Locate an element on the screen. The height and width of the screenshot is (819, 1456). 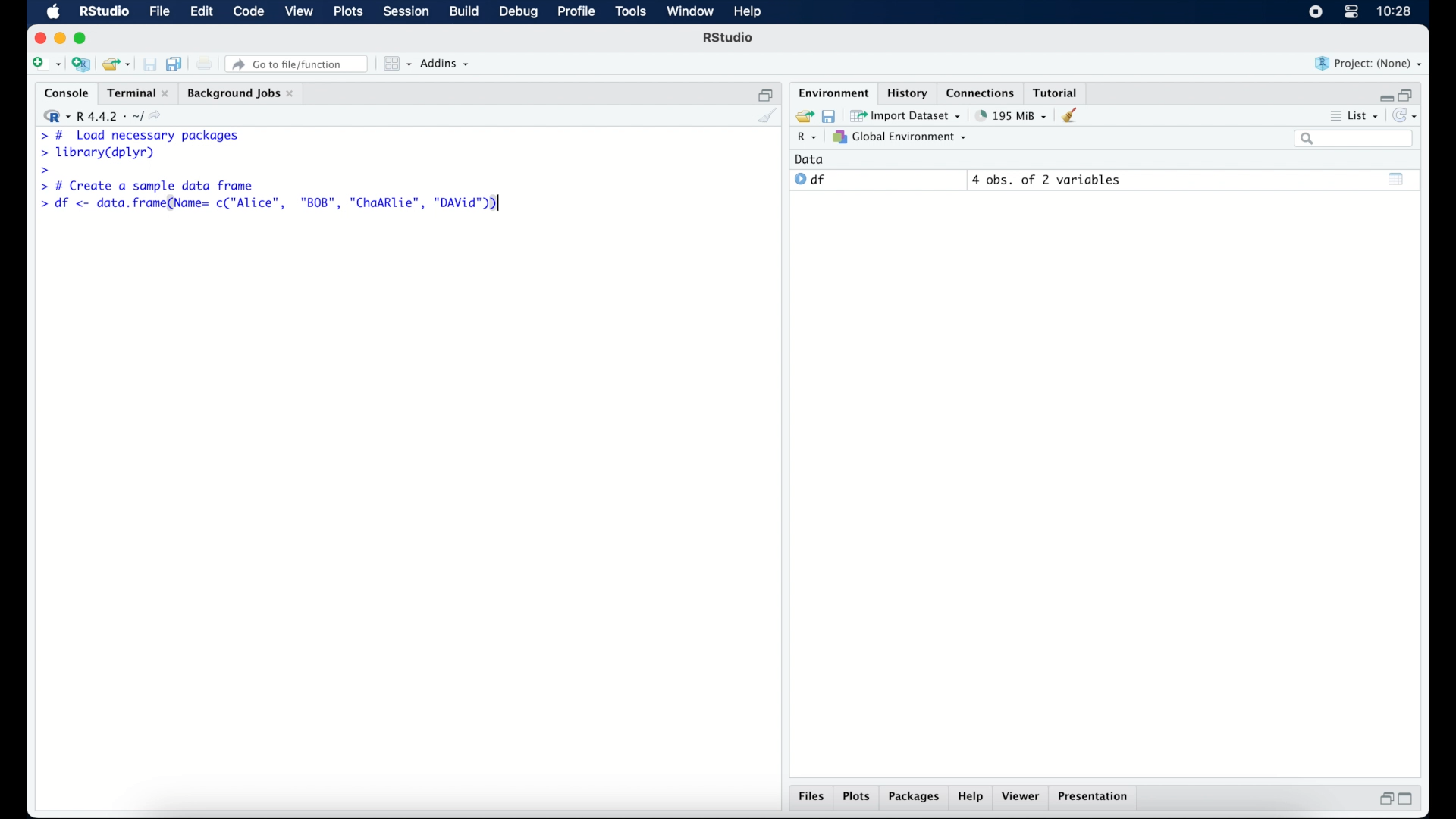
console is located at coordinates (63, 93).